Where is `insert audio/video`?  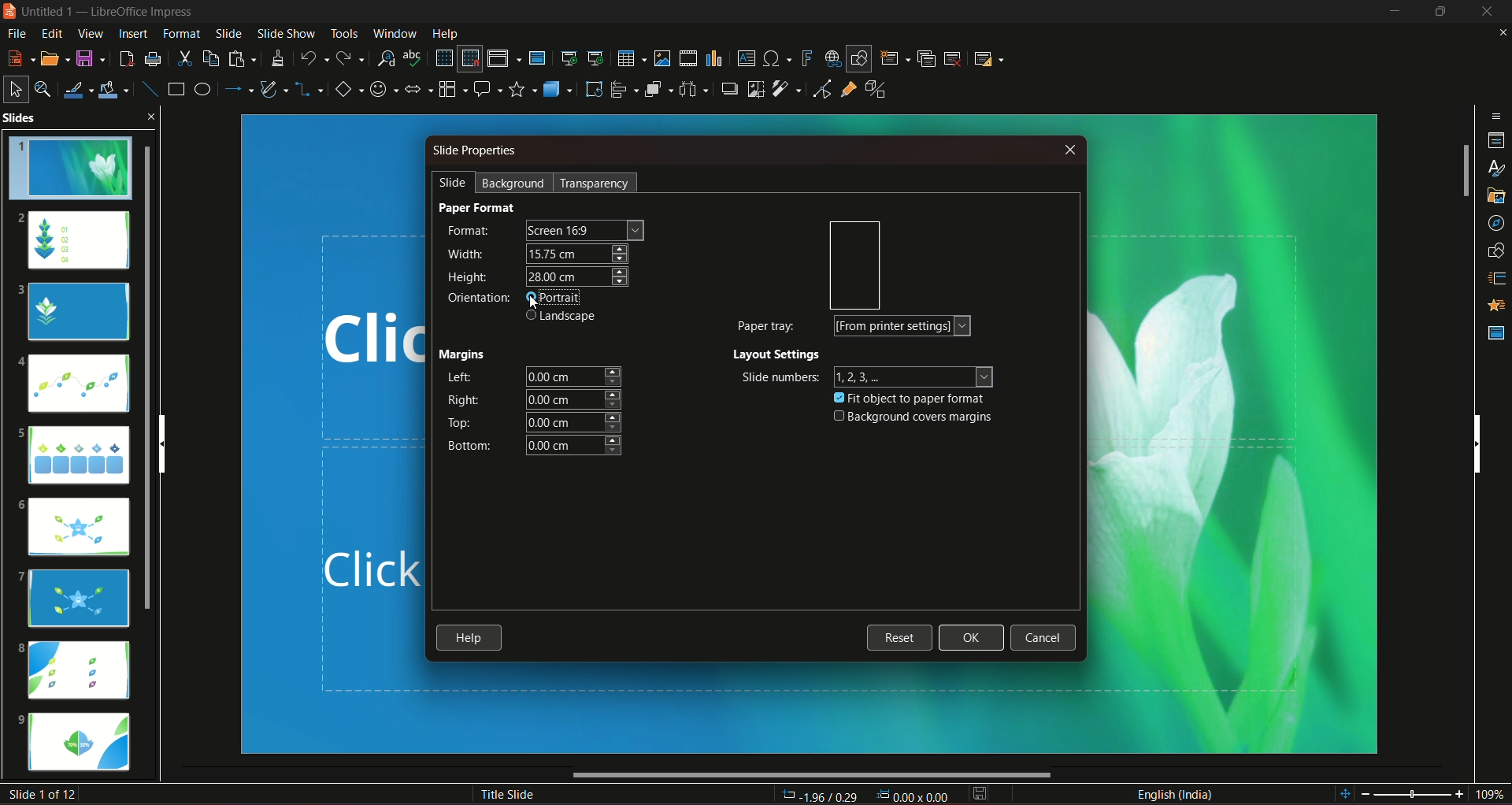
insert audio/video is located at coordinates (689, 59).